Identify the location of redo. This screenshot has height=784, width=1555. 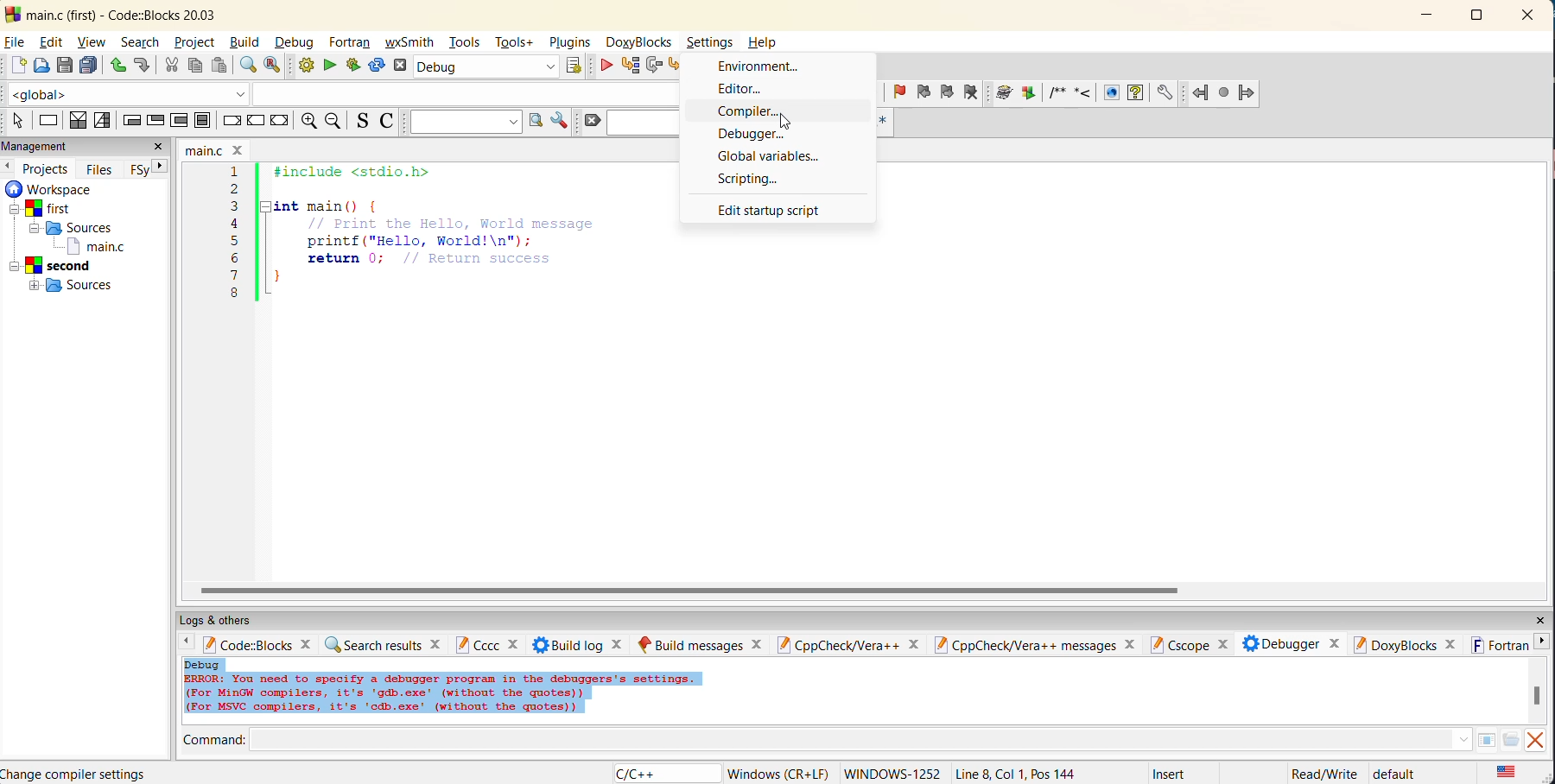
(143, 66).